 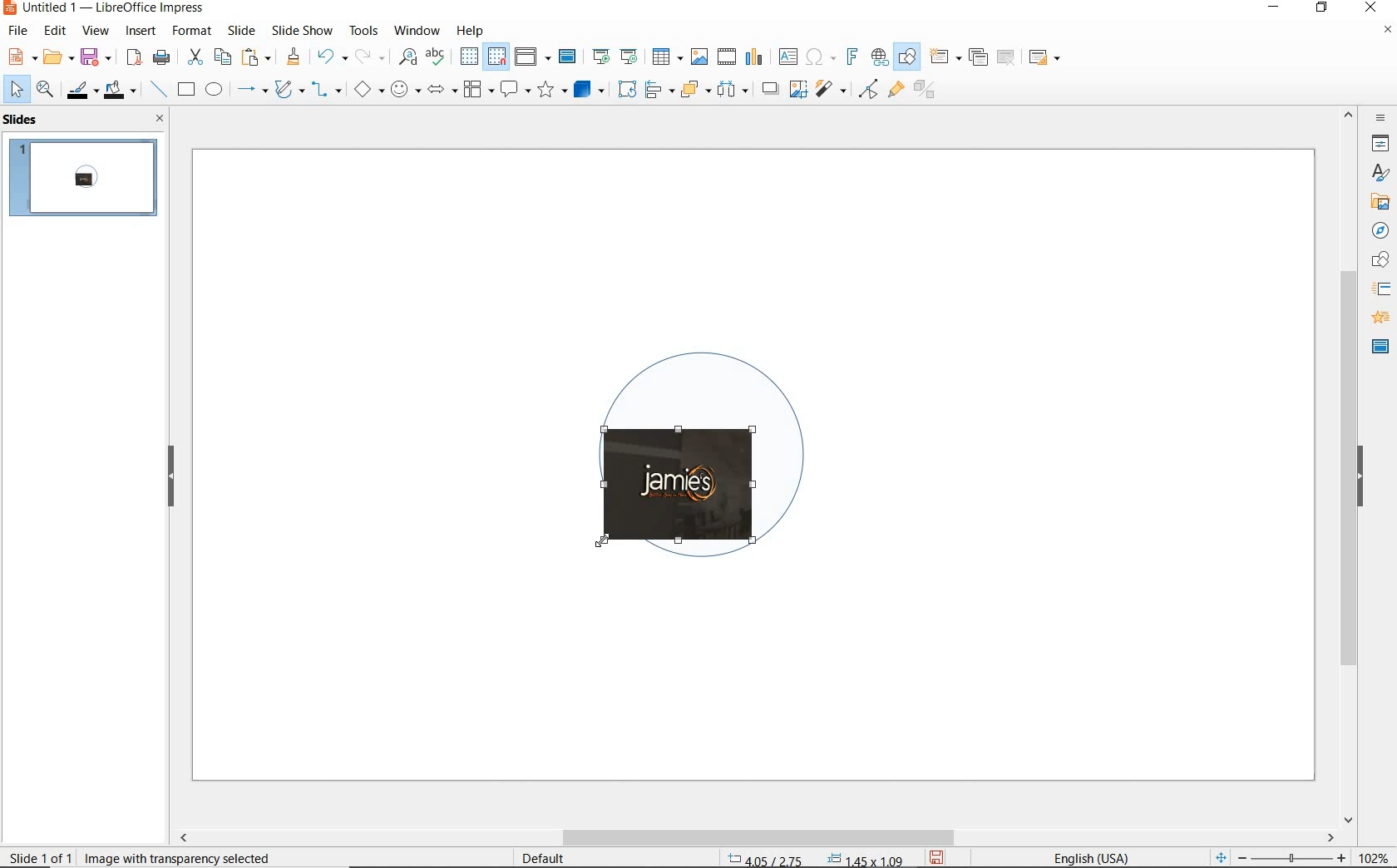 What do you see at coordinates (1045, 58) in the screenshot?
I see `slide layout` at bounding box center [1045, 58].